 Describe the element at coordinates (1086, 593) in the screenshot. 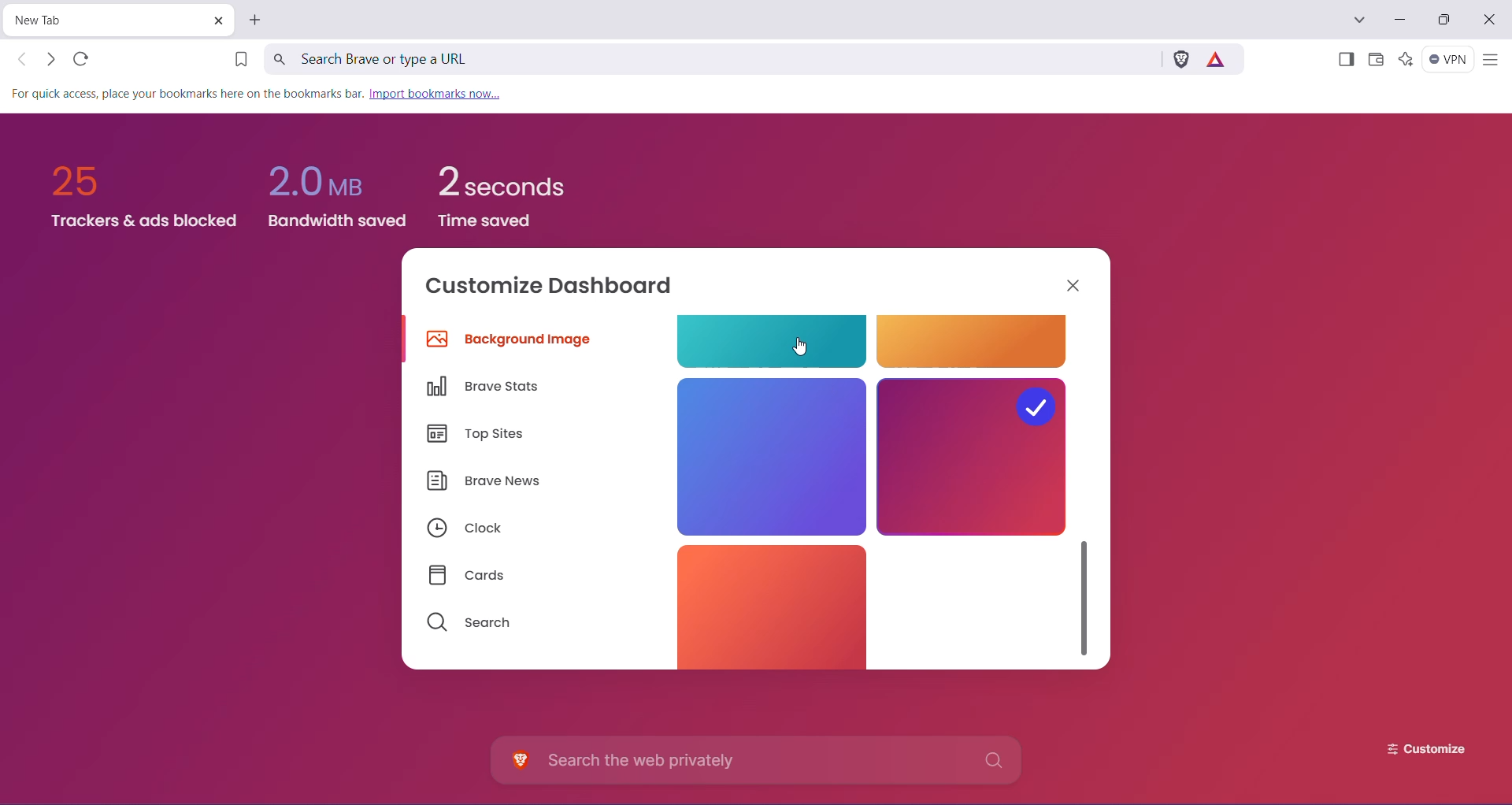

I see `Vertical Scroll Bar` at that location.